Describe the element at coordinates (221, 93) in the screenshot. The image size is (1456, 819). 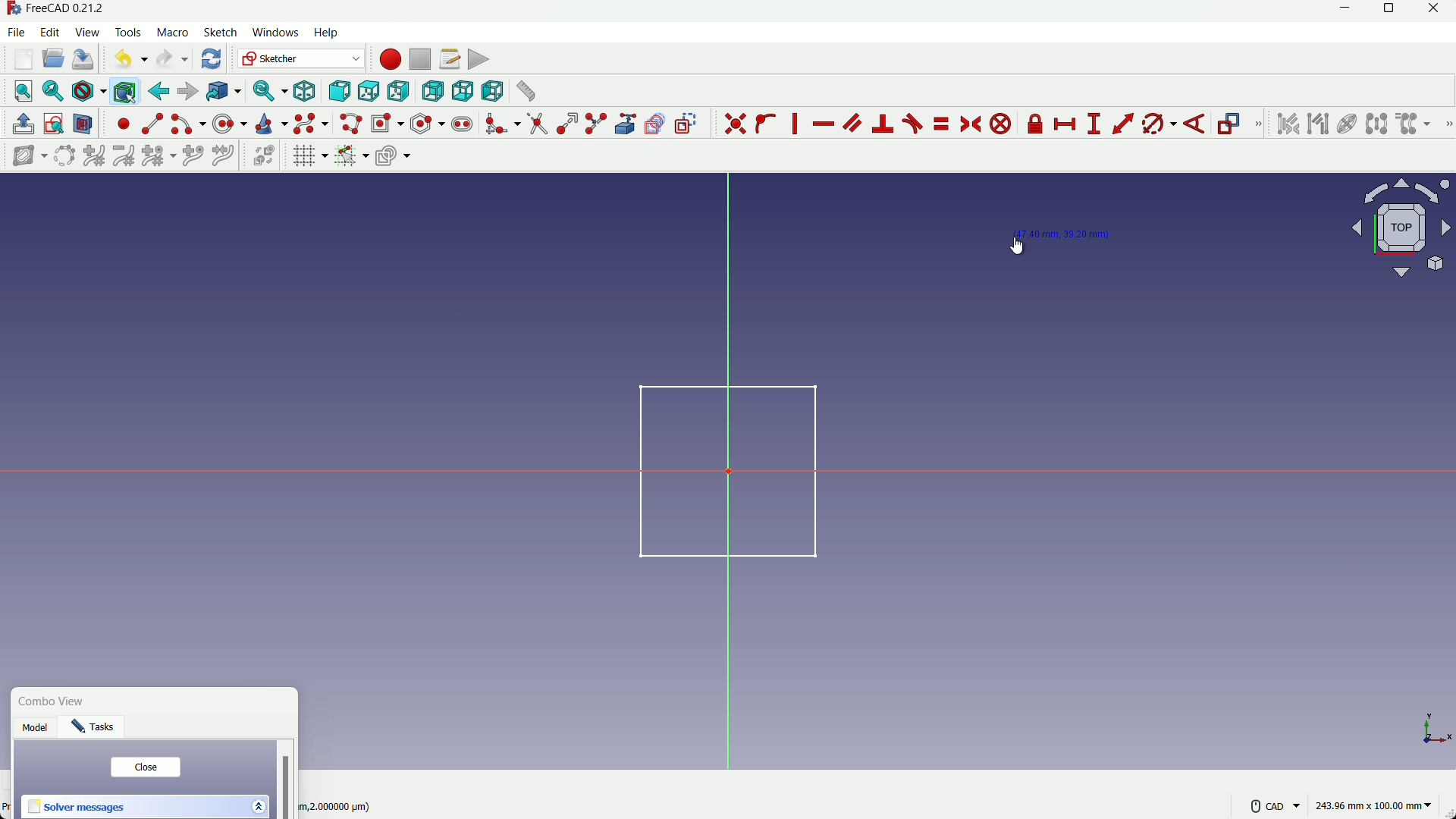
I see `link to the object` at that location.